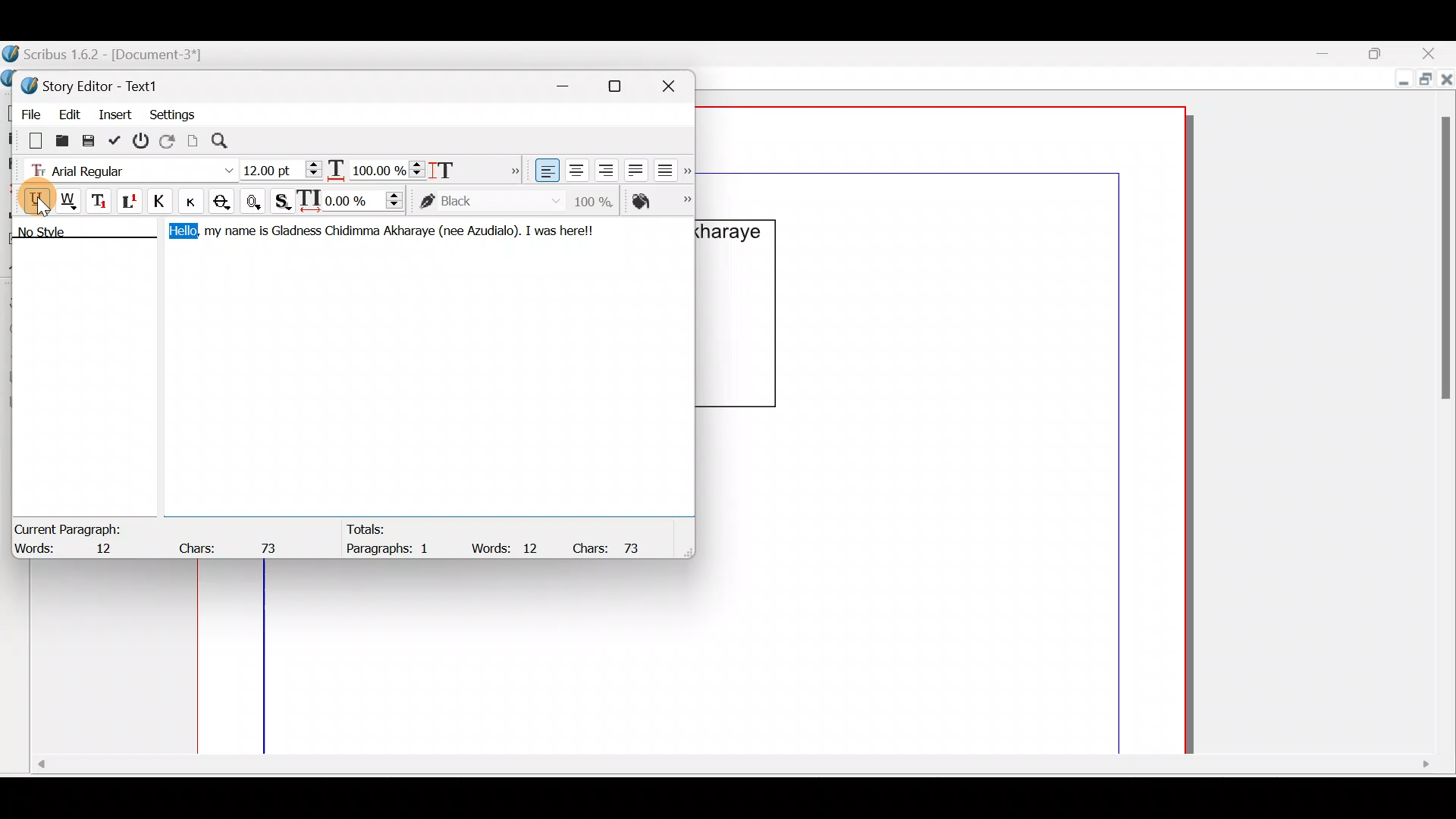  I want to click on Azudialo)., so click(492, 229).